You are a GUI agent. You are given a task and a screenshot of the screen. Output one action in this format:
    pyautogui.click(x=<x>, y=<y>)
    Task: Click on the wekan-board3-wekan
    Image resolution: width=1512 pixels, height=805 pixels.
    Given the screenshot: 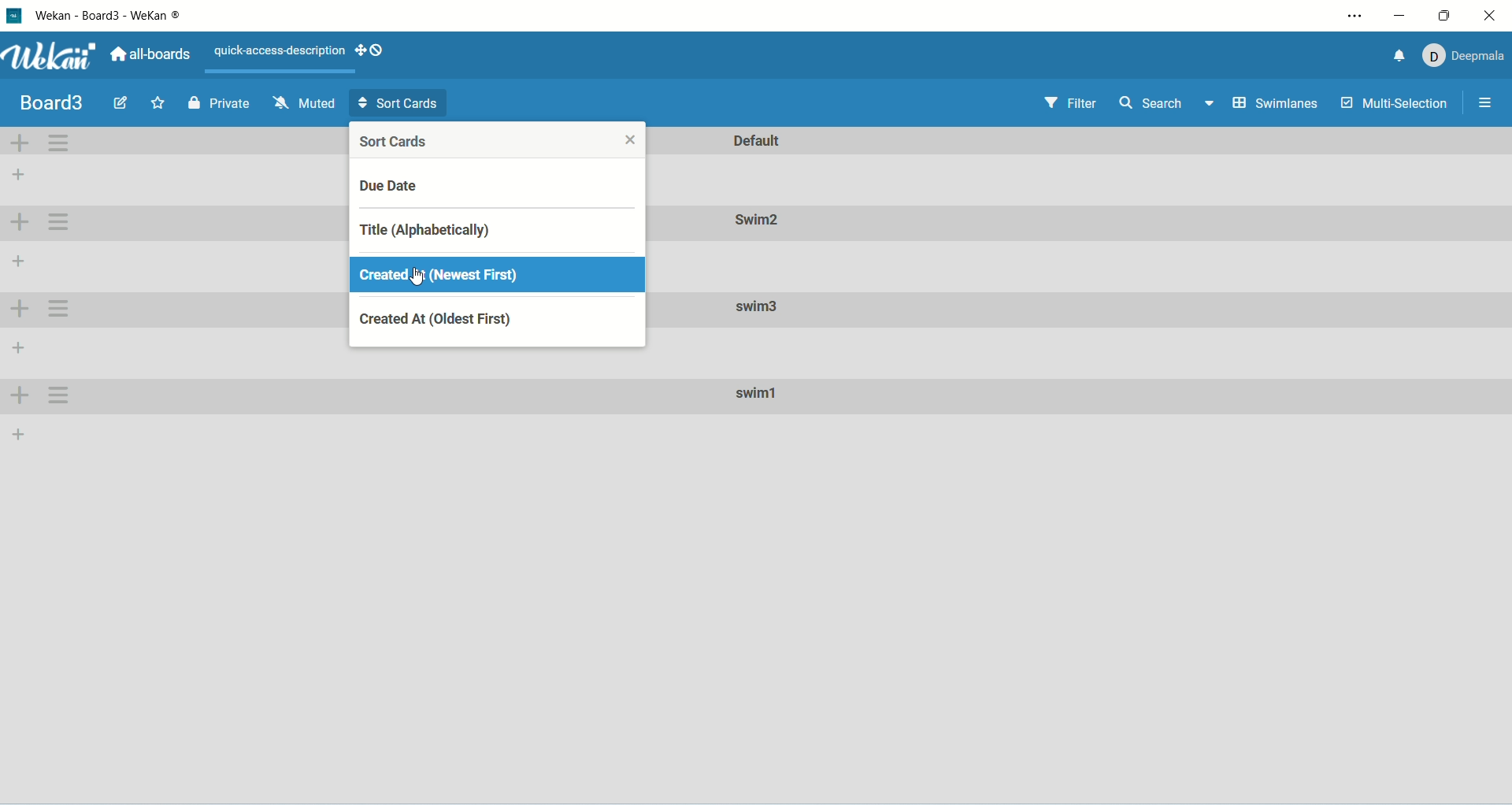 What is the action you would take?
    pyautogui.click(x=109, y=16)
    